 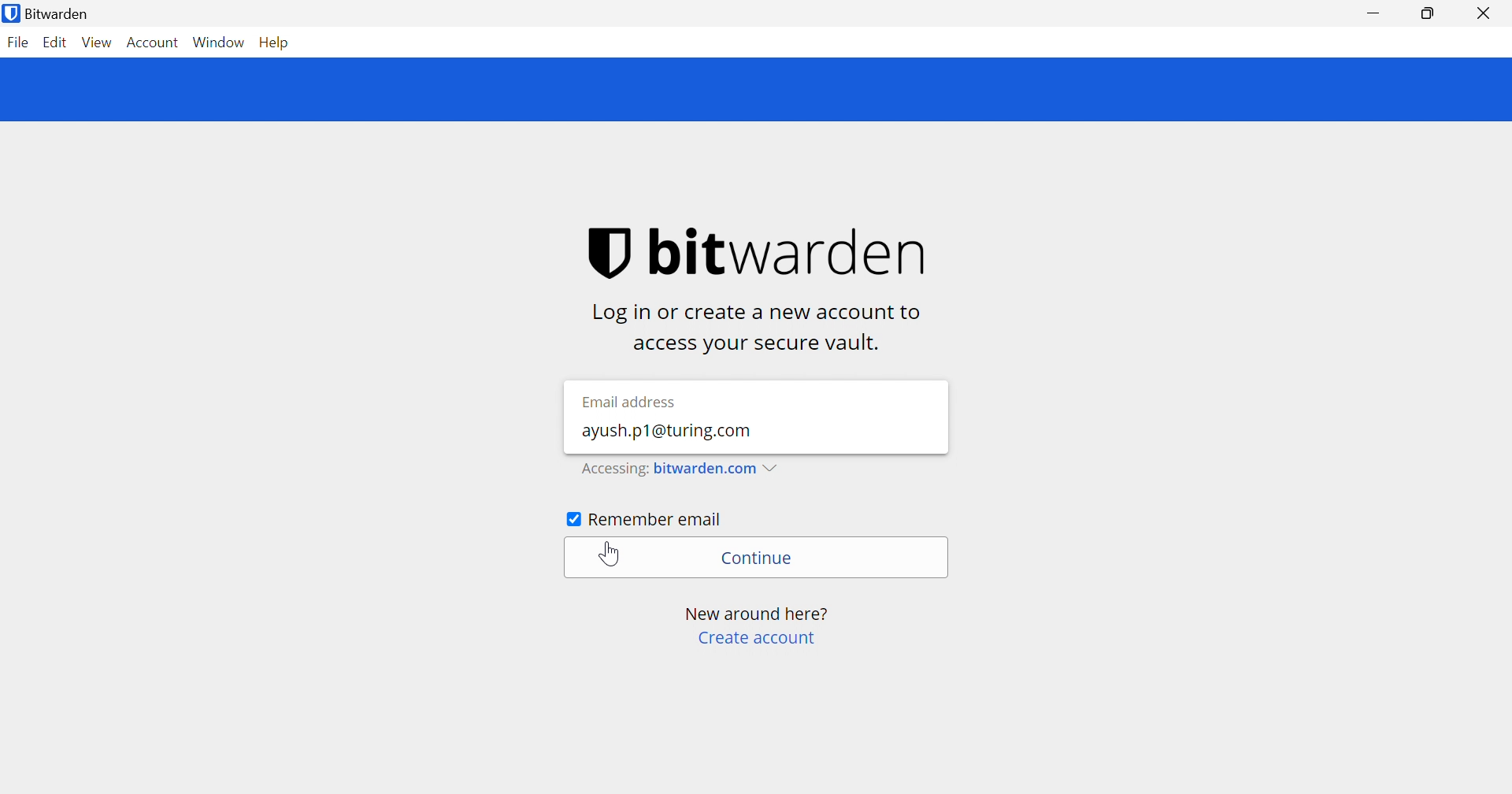 I want to click on Edit, so click(x=57, y=43).